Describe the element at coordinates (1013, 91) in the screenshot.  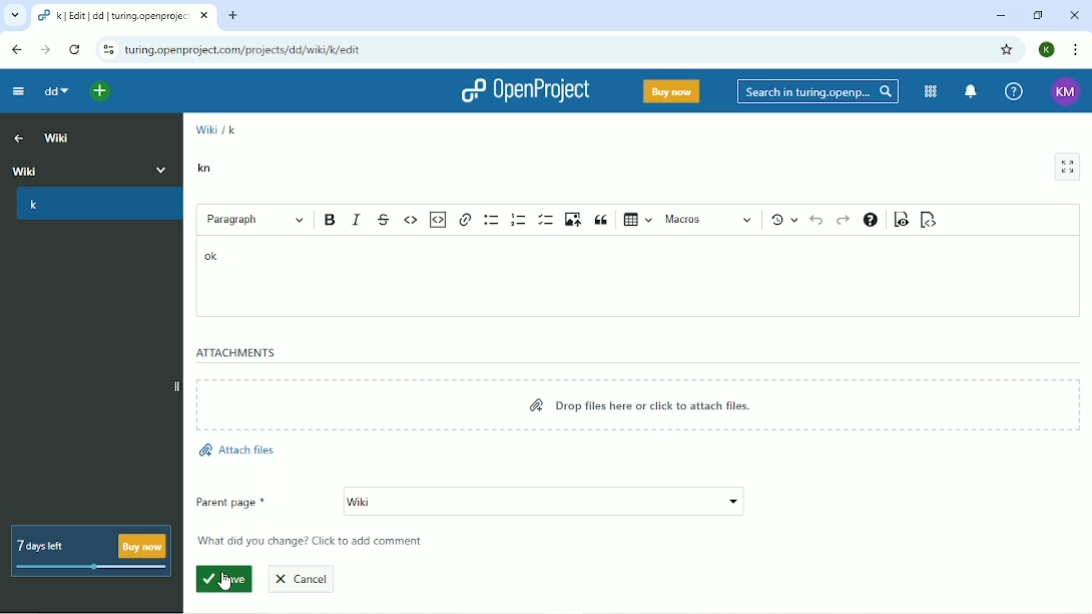
I see `Help` at that location.